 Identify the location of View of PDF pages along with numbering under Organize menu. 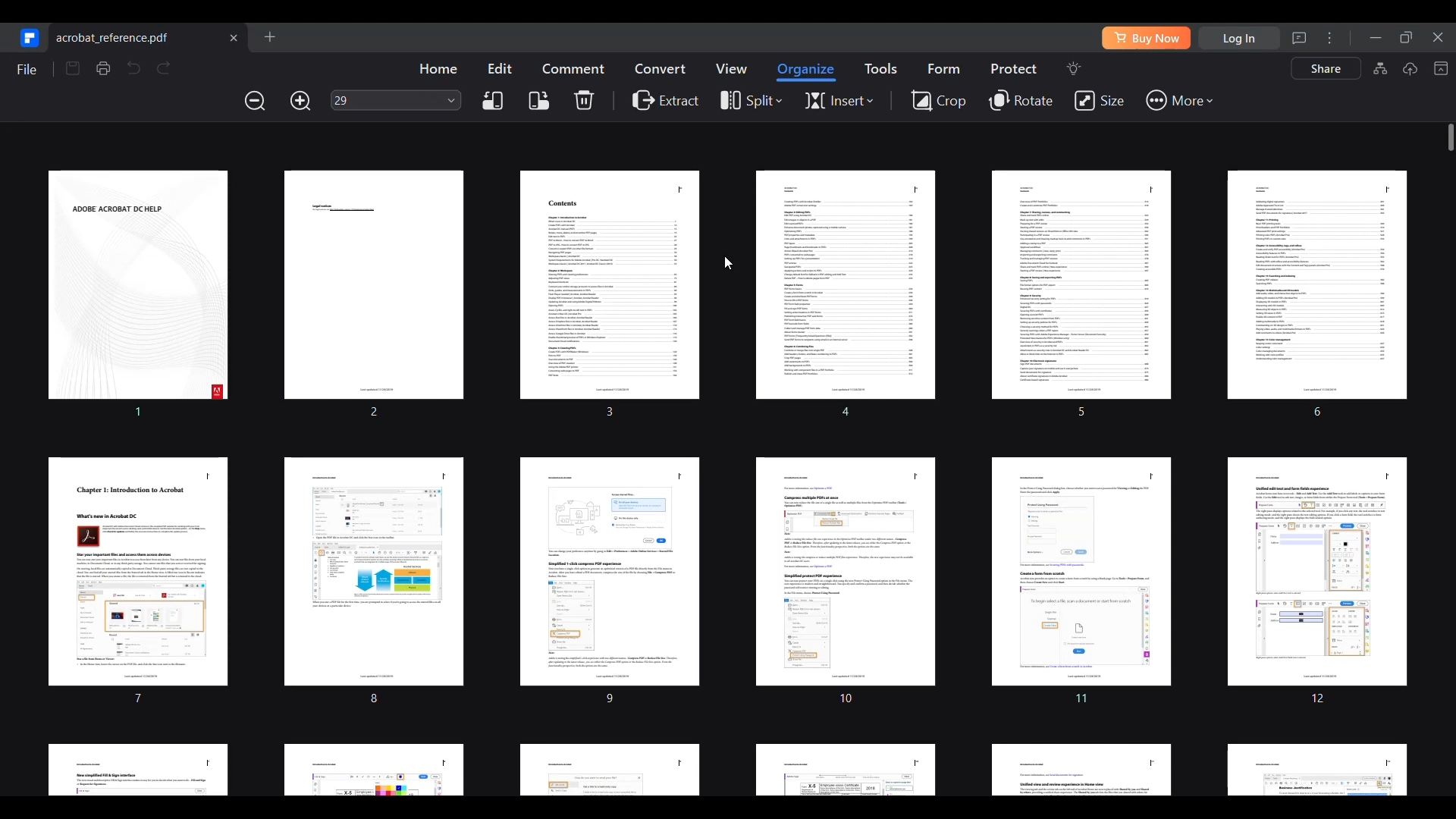
(725, 479).